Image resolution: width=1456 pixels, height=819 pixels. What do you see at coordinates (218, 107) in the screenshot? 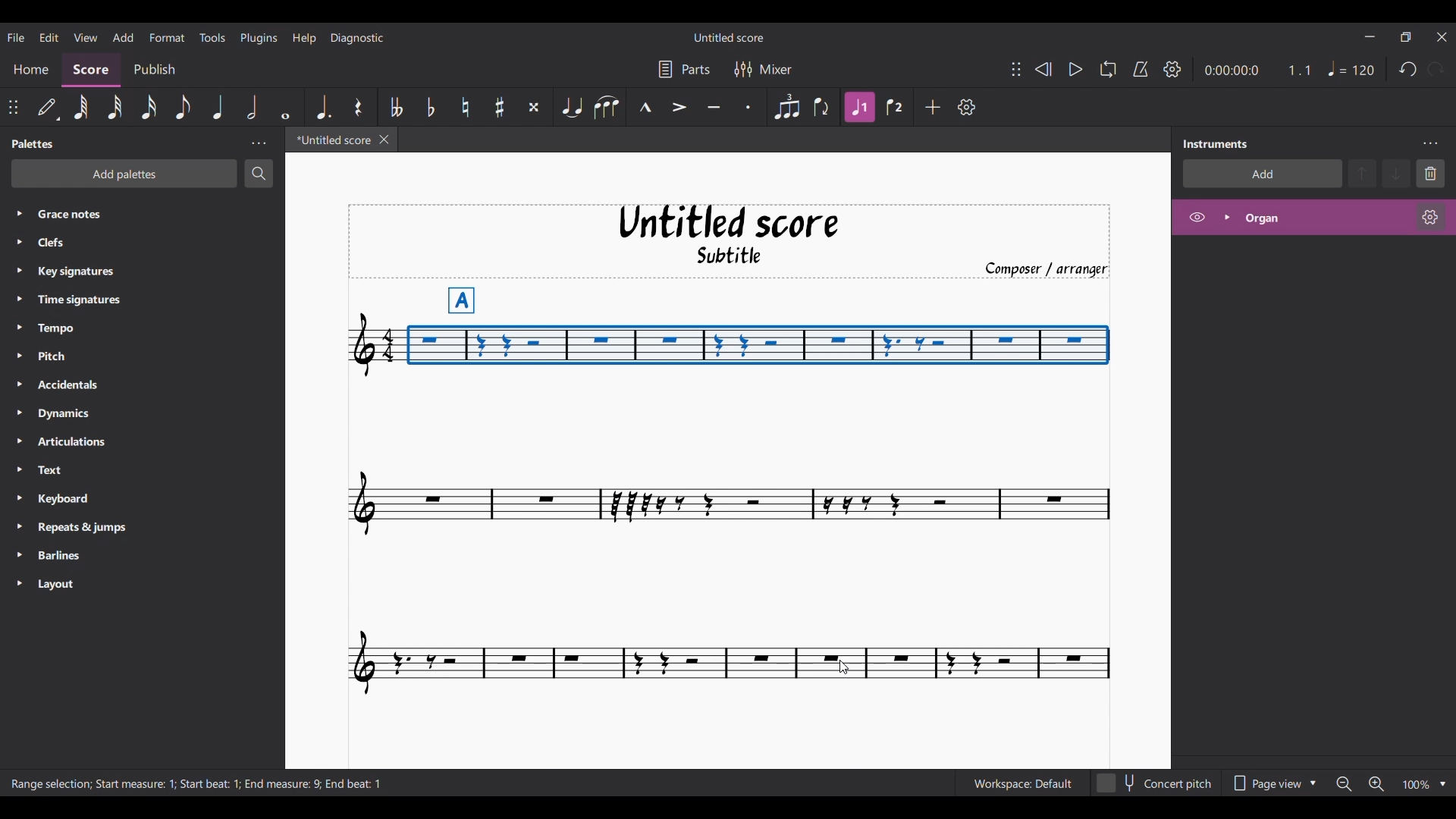
I see `Quarter note` at bounding box center [218, 107].